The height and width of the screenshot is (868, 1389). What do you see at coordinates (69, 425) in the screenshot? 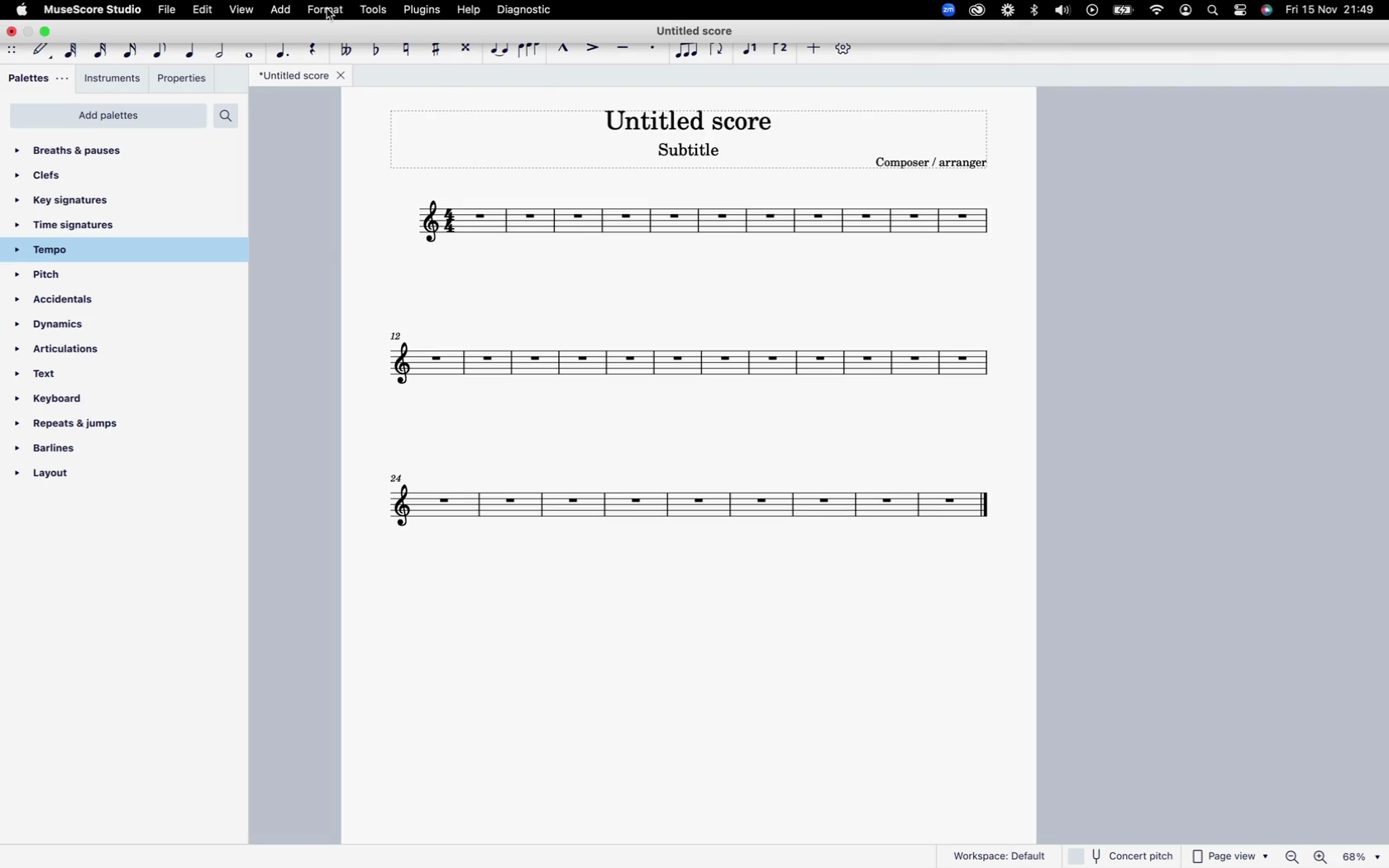
I see `repeats & jumps` at bounding box center [69, 425].